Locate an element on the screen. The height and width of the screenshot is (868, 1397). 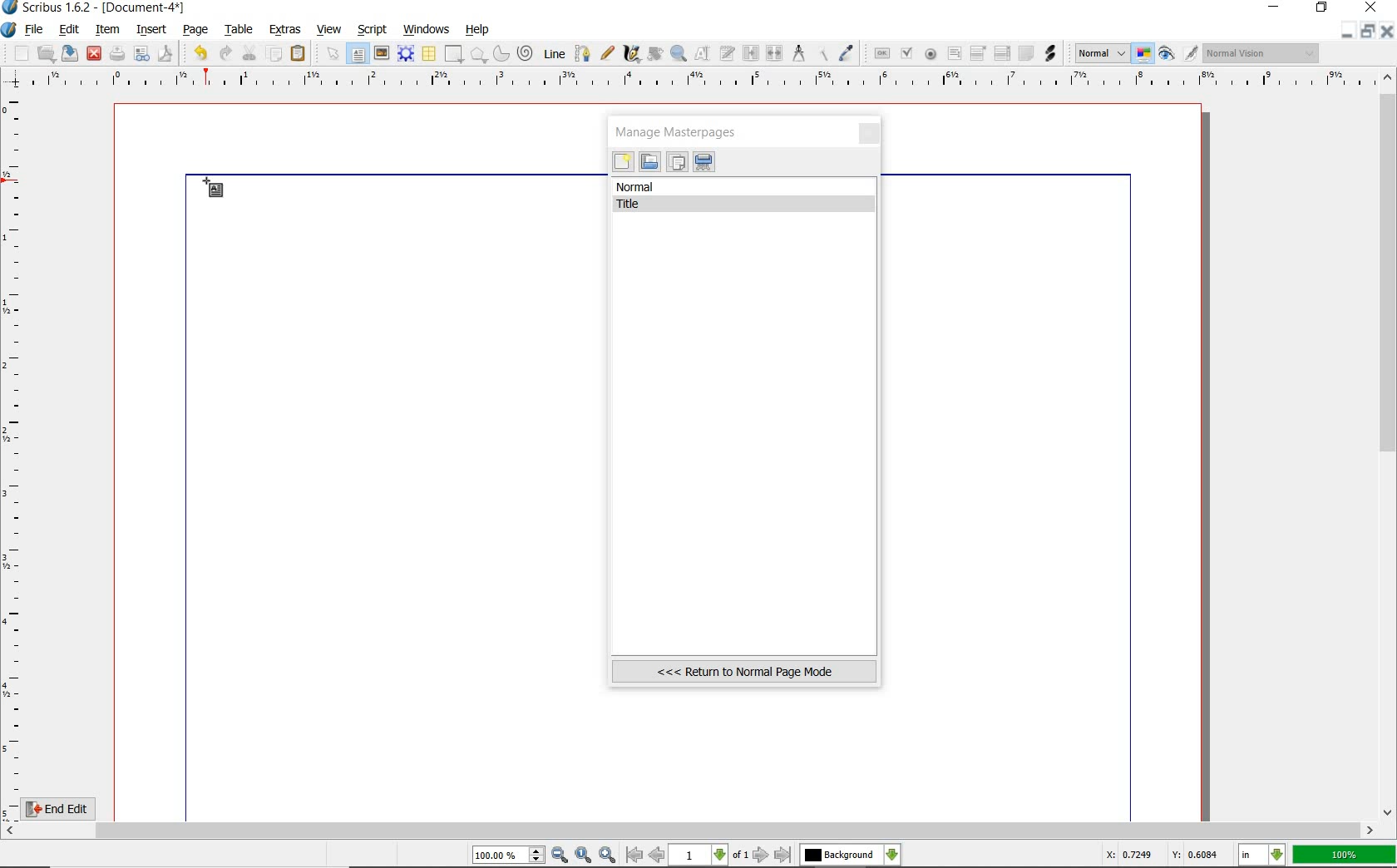
Normal is located at coordinates (1100, 53).